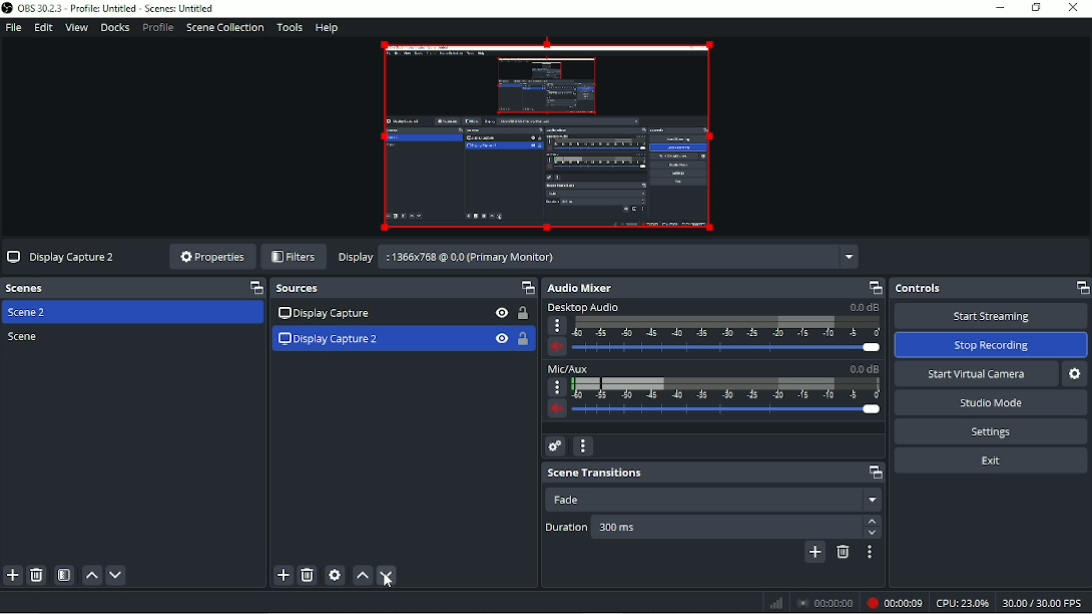 The width and height of the screenshot is (1092, 614). I want to click on Studio Mode, so click(990, 403).